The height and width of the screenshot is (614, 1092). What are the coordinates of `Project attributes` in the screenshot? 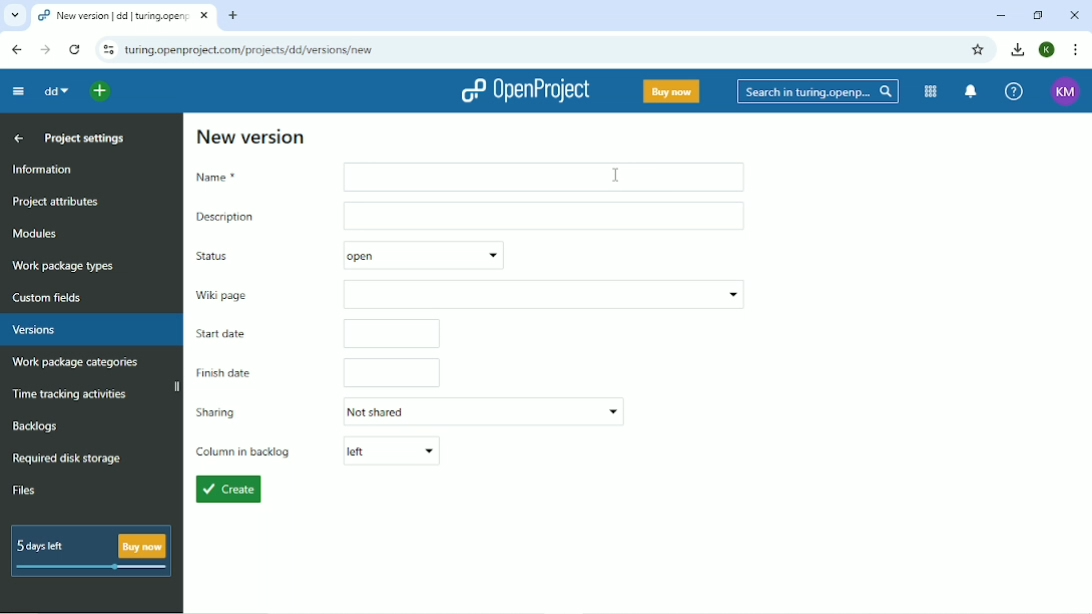 It's located at (55, 203).